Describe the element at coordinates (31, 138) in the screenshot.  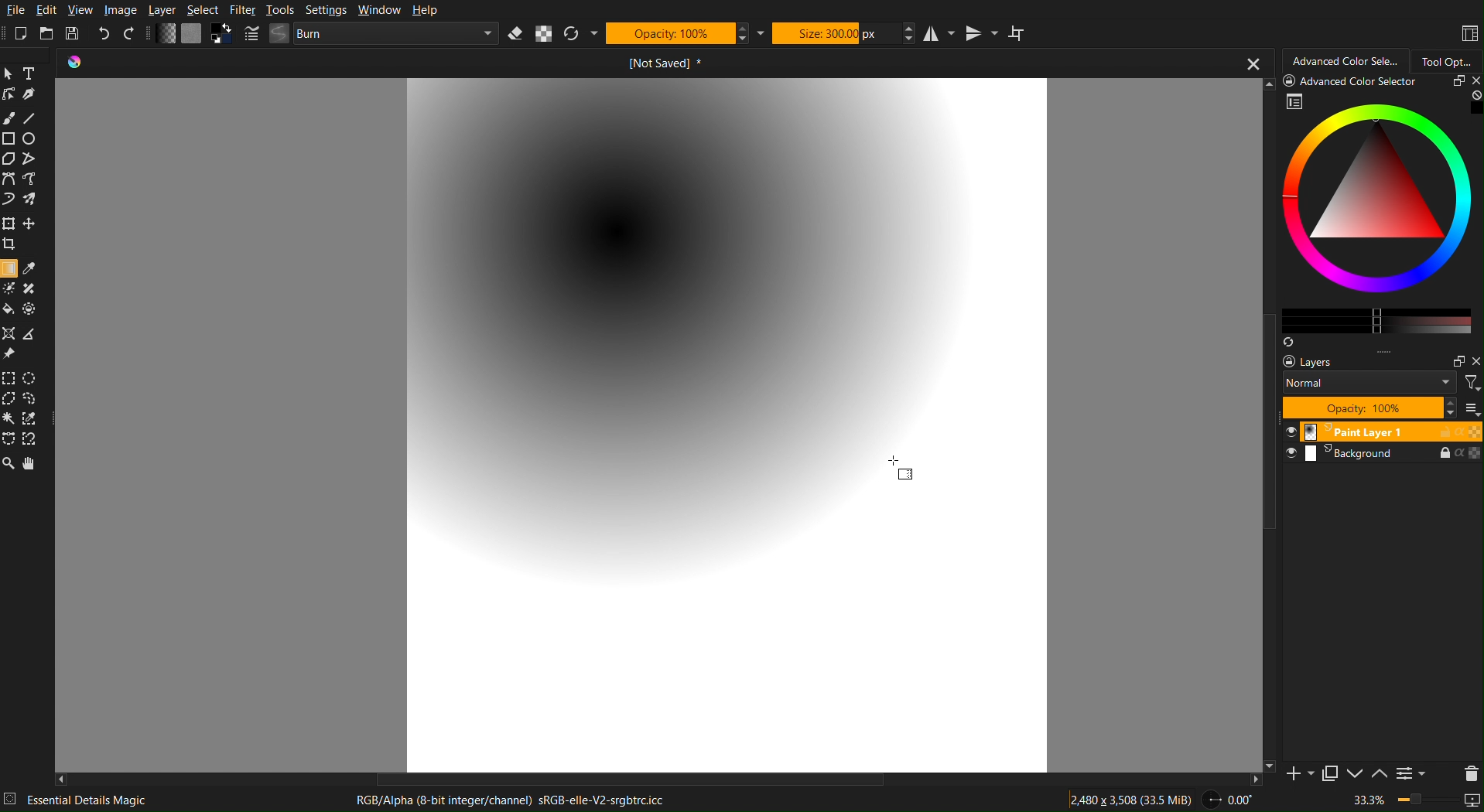
I see `Circle` at that location.